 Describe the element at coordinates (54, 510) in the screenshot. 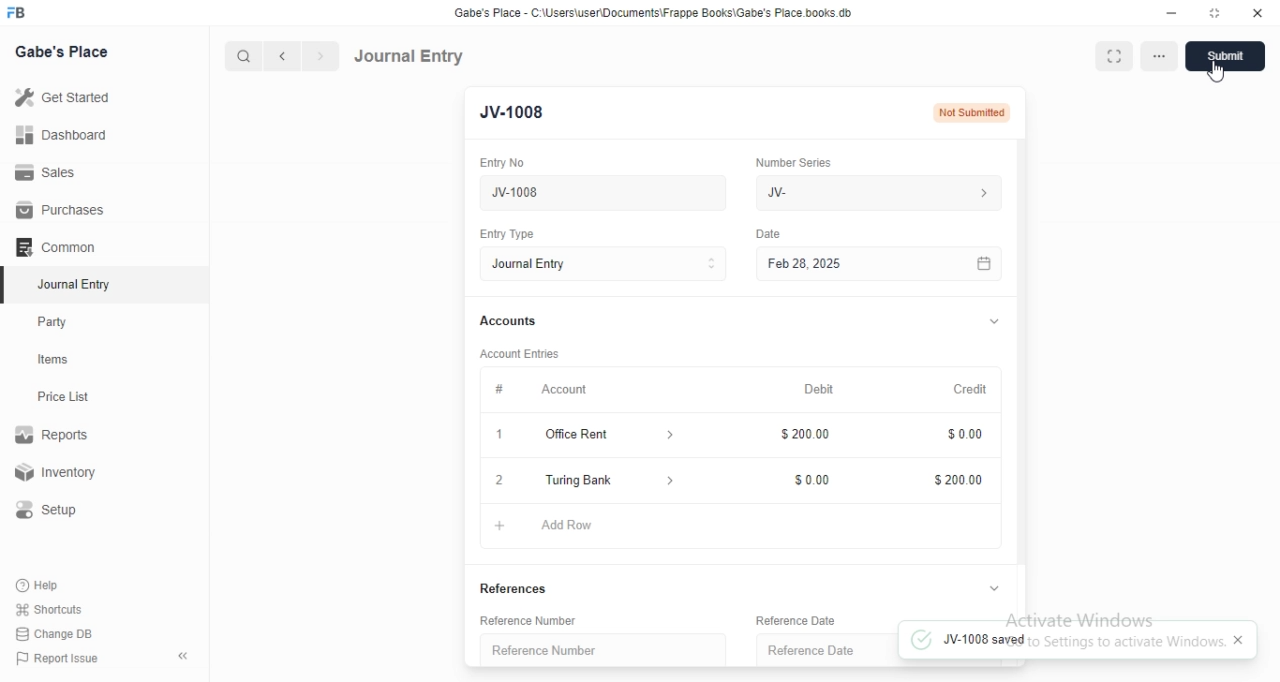

I see `Setup` at that location.